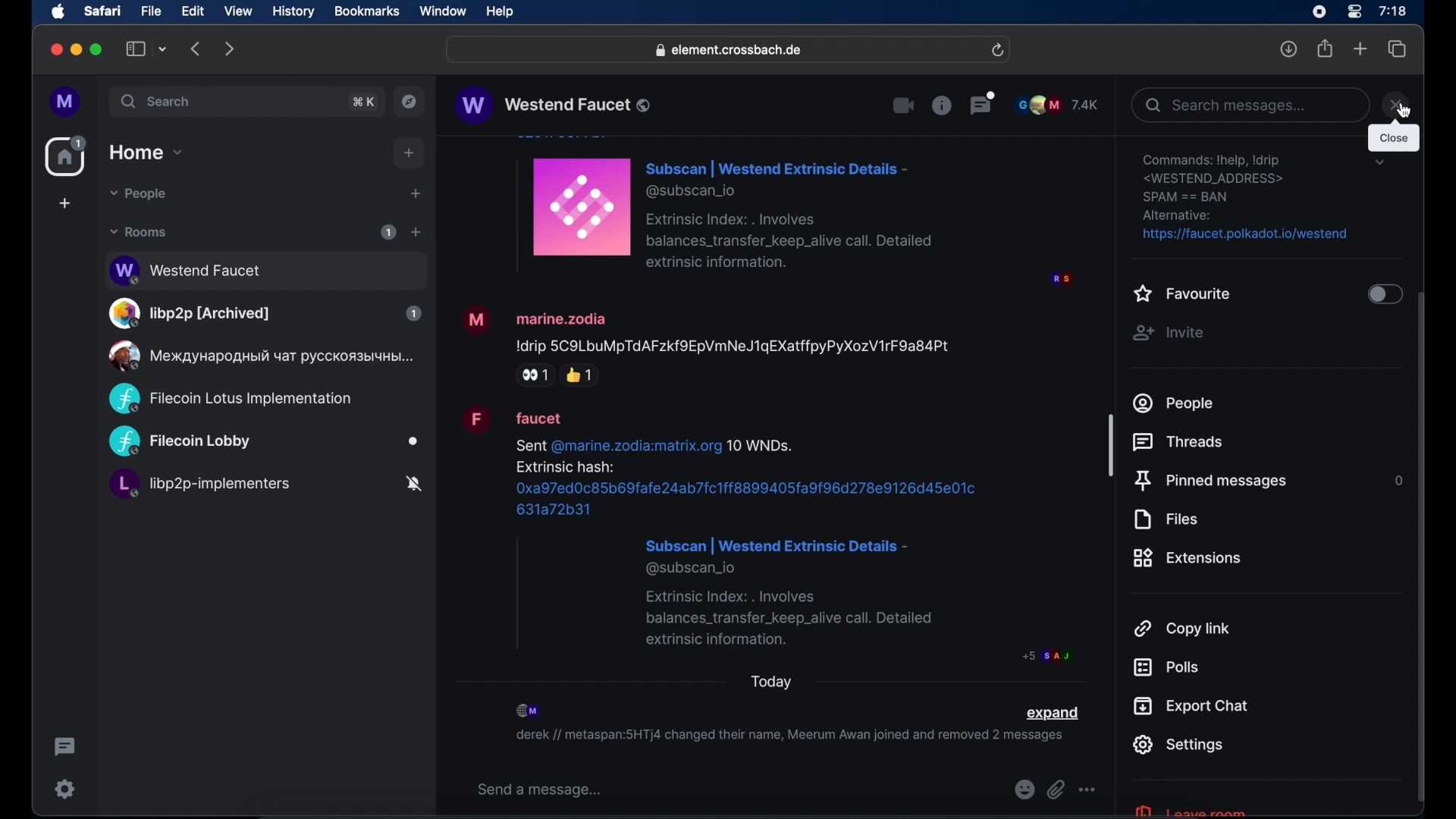  What do you see at coordinates (1166, 667) in the screenshot?
I see `polls` at bounding box center [1166, 667].